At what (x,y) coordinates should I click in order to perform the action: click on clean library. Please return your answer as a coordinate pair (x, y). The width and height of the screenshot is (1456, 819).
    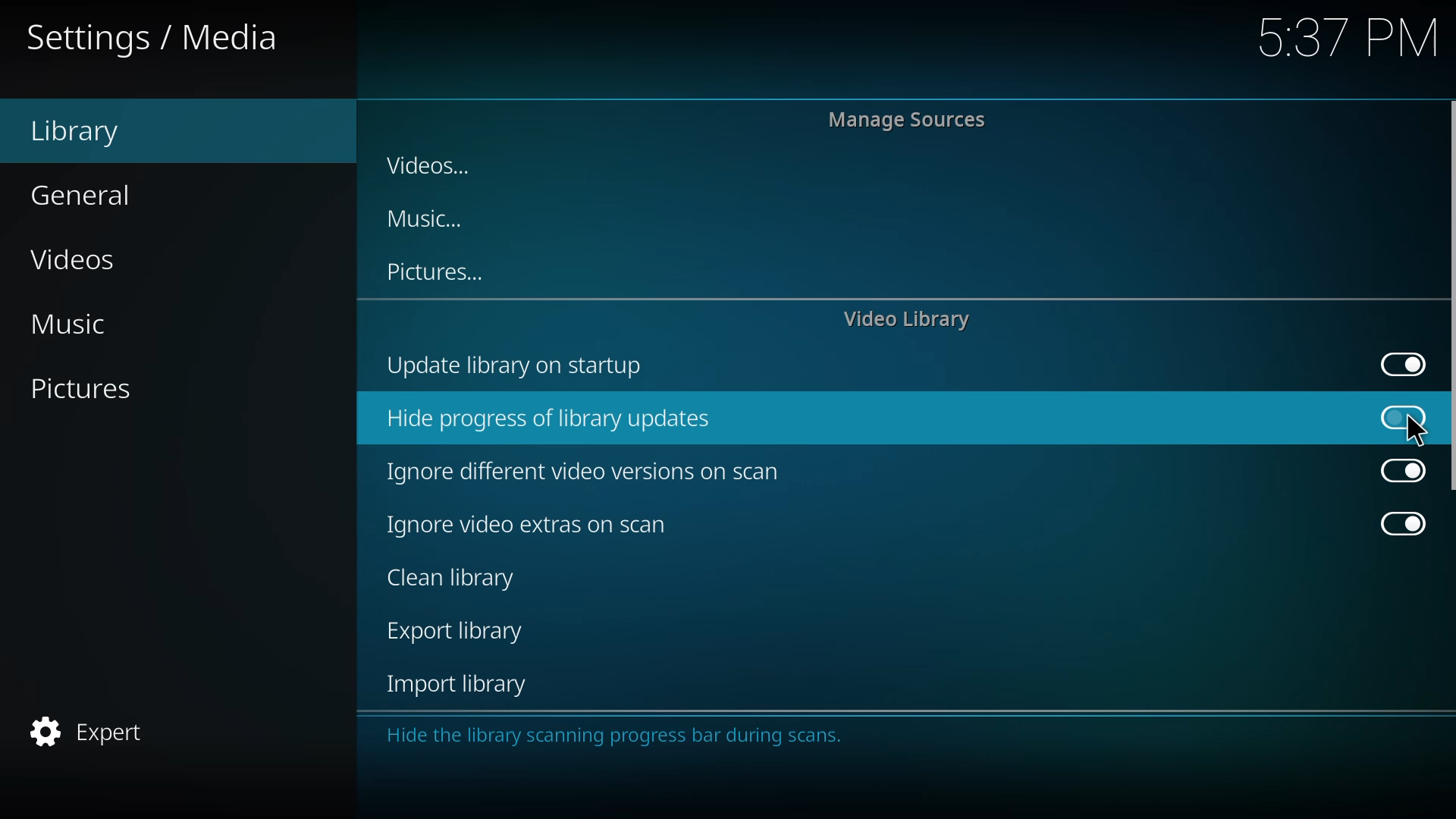
    Looking at the image, I should click on (455, 579).